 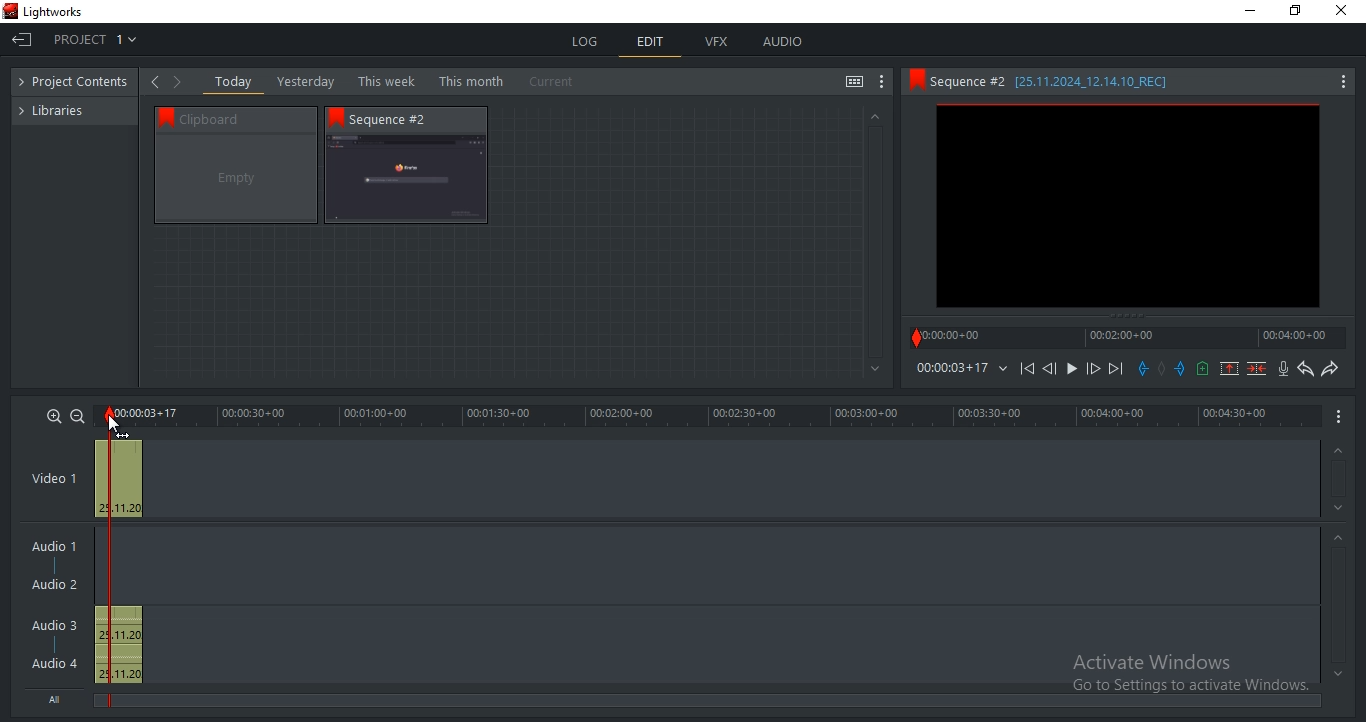 I want to click on Today, yesterday, This week, This month, Current, so click(x=399, y=81).